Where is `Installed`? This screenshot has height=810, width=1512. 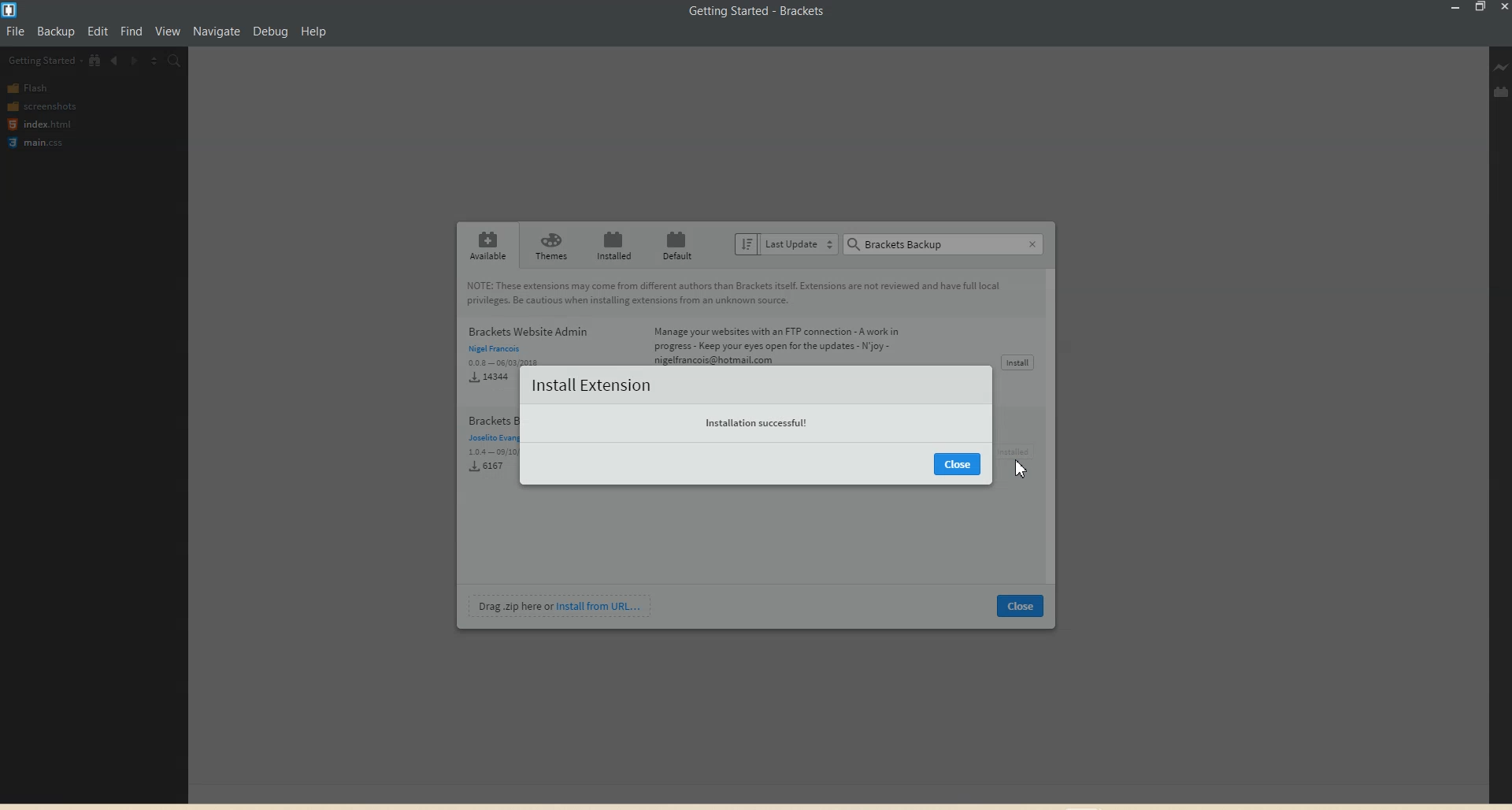 Installed is located at coordinates (613, 245).